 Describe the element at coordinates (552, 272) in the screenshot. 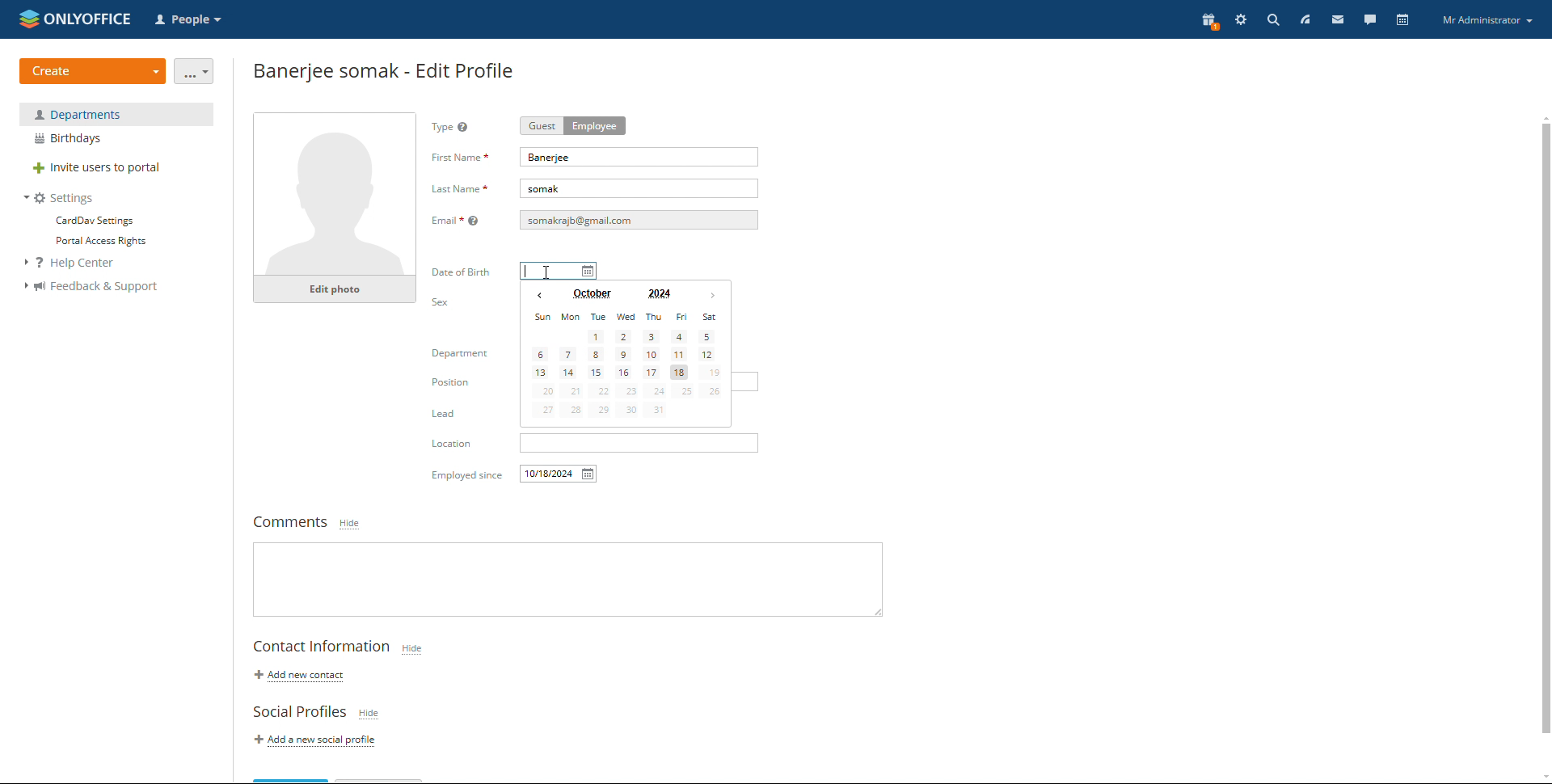

I see `mouse pointer` at that location.